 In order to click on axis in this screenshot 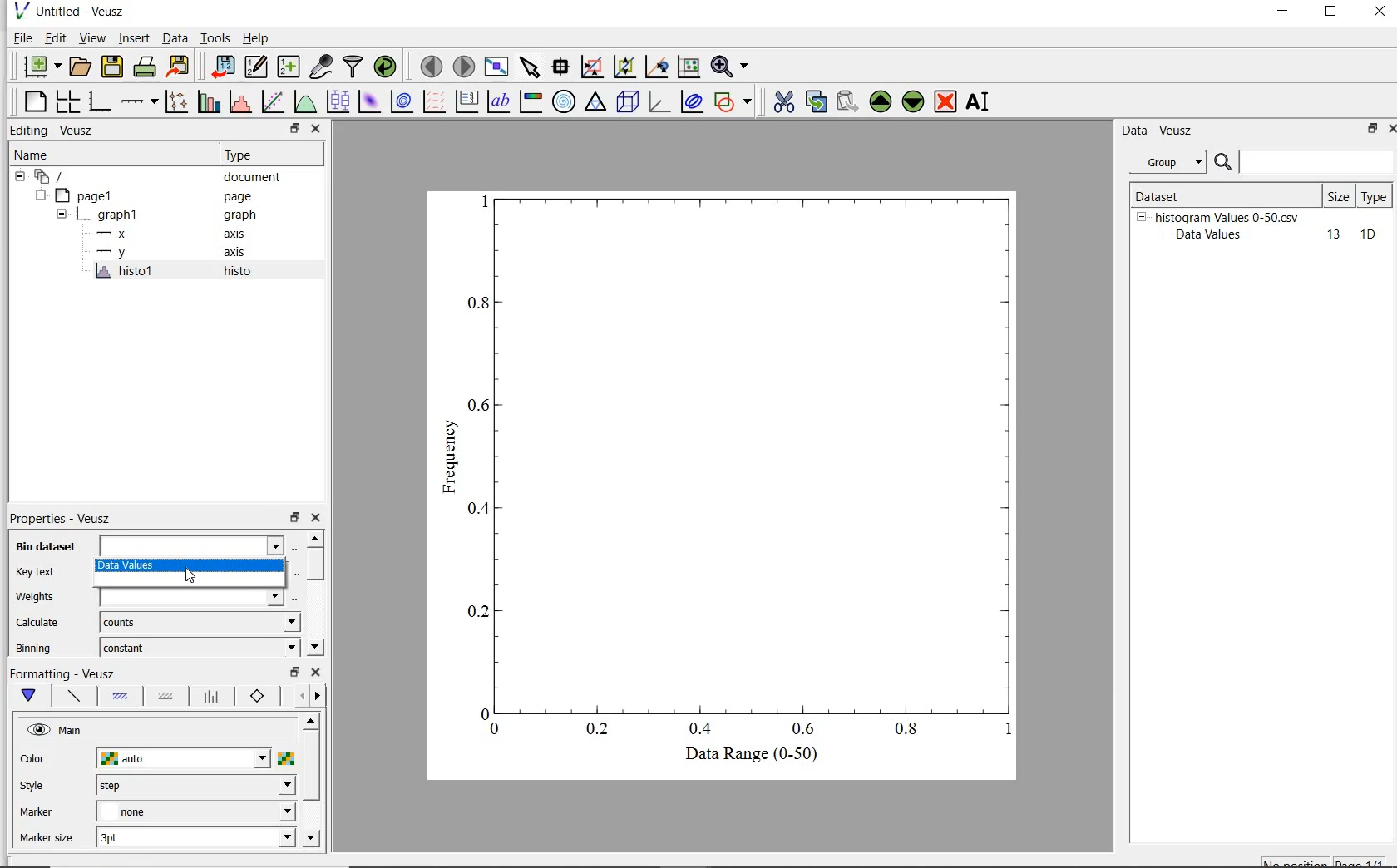, I will do `click(239, 254)`.